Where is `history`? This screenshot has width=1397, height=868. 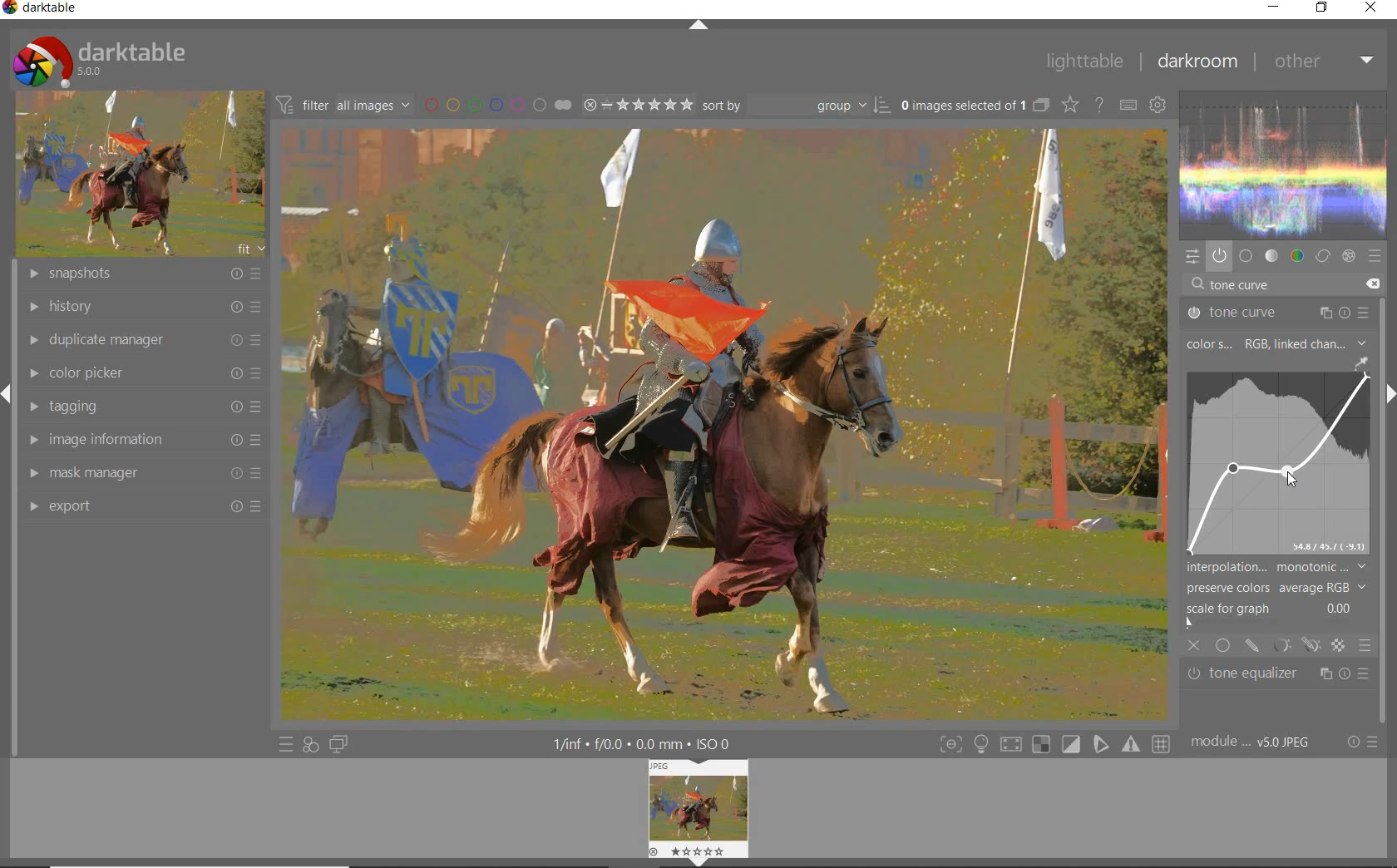
history is located at coordinates (142, 308).